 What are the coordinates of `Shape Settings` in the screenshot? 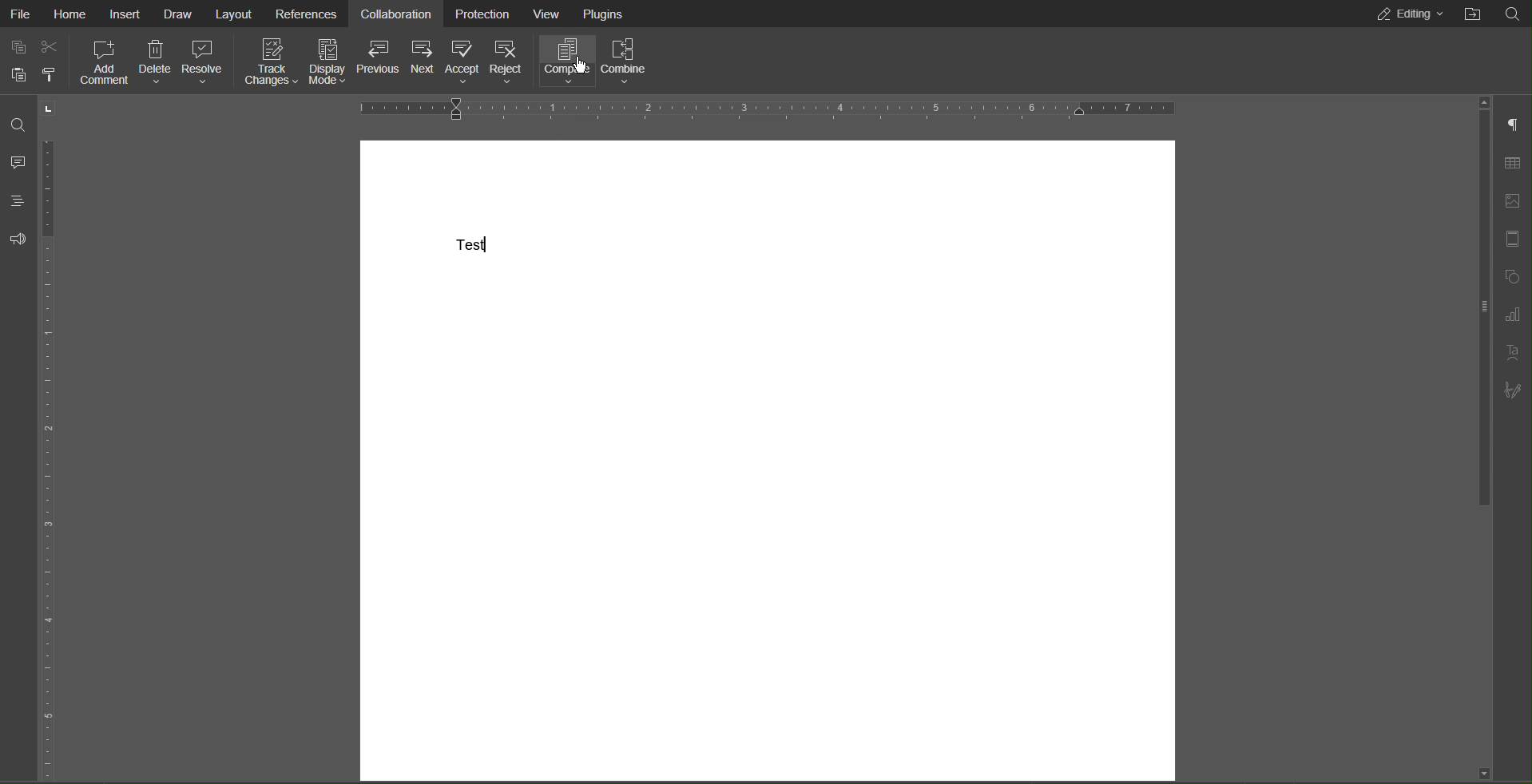 It's located at (1513, 275).